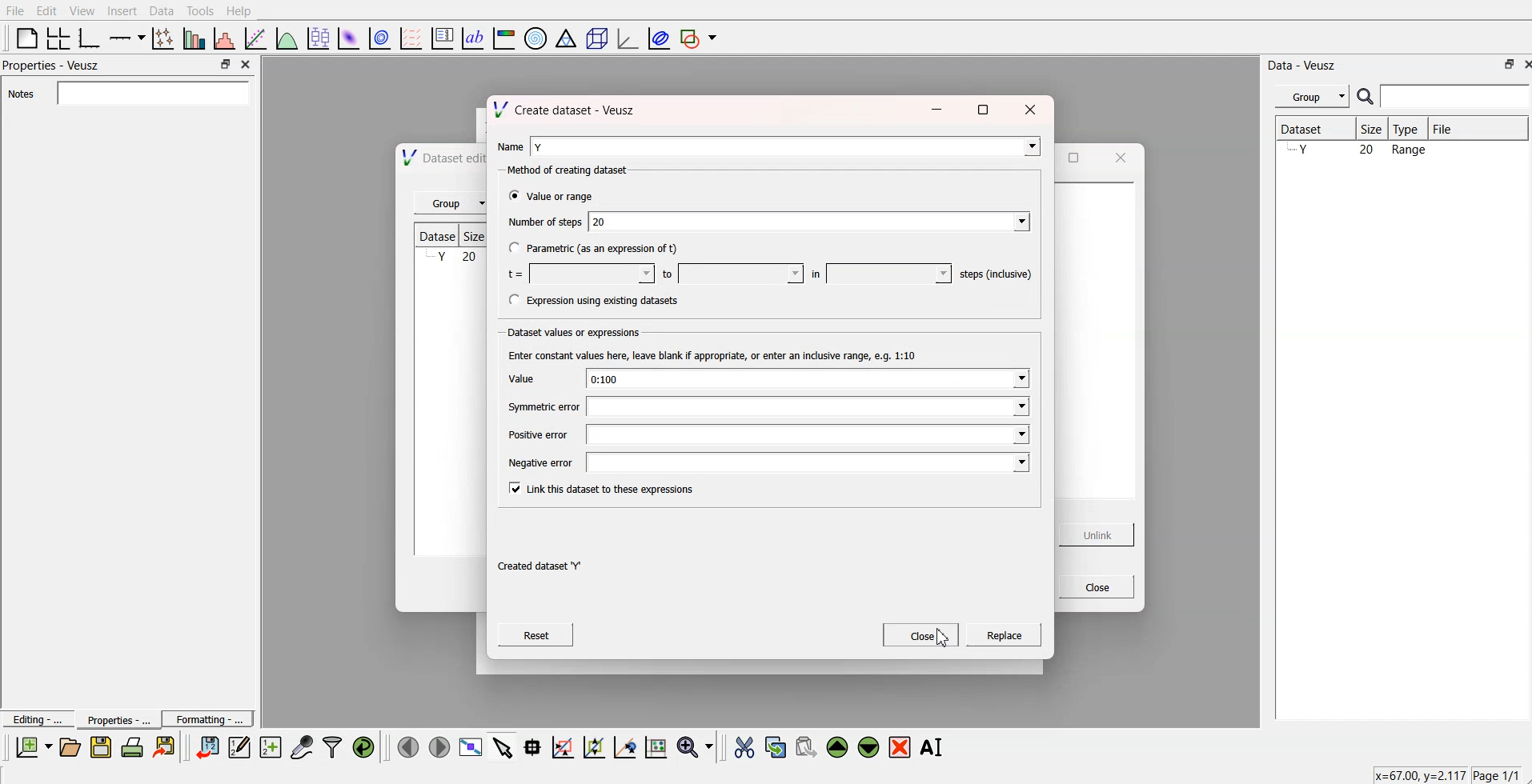 This screenshot has width=1532, height=784. Describe the element at coordinates (809, 463) in the screenshot. I see `field` at that location.